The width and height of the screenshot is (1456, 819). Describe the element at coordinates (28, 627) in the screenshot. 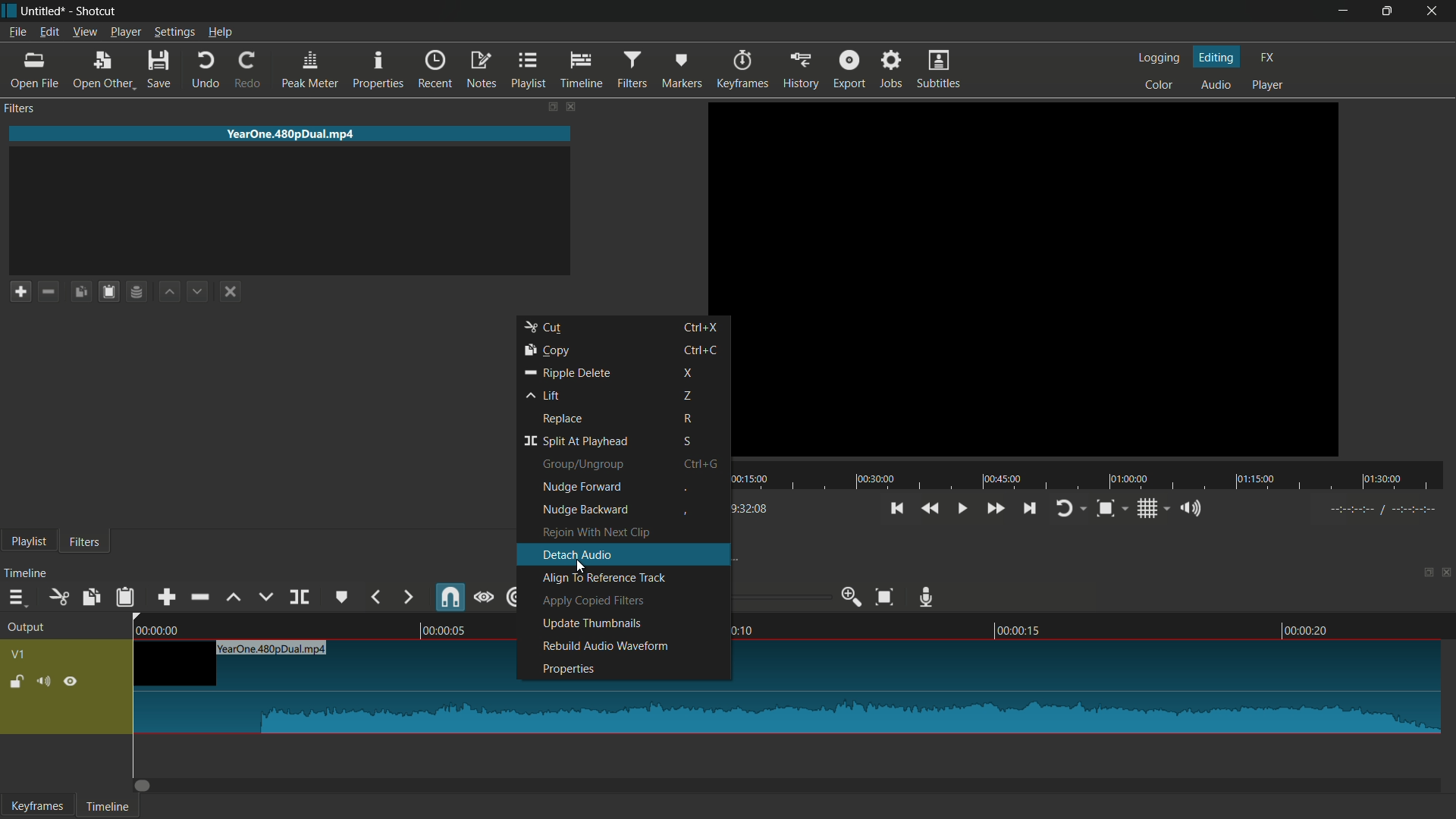

I see `output` at that location.